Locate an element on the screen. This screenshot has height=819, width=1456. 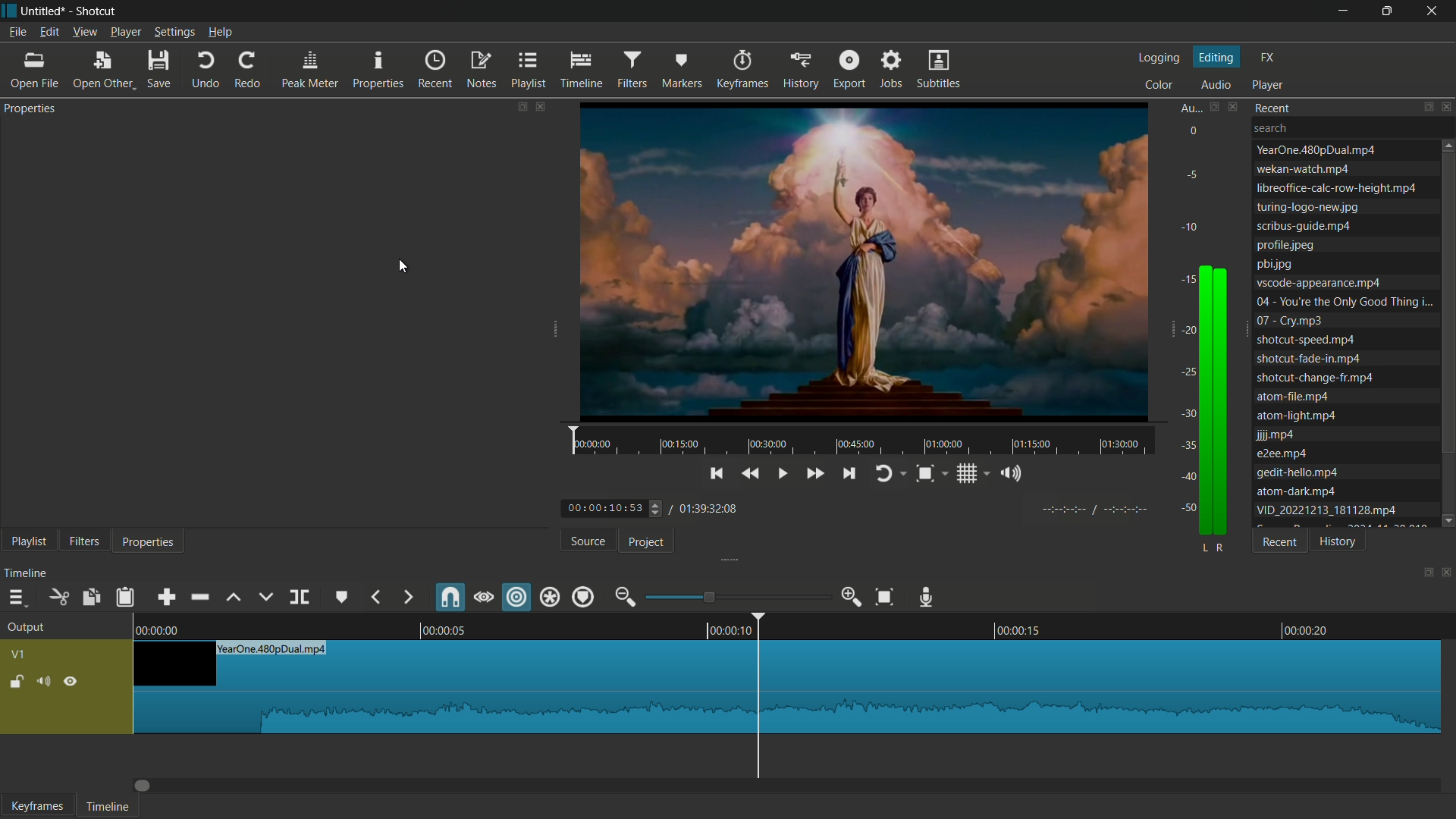
timeline menu is located at coordinates (15, 598).